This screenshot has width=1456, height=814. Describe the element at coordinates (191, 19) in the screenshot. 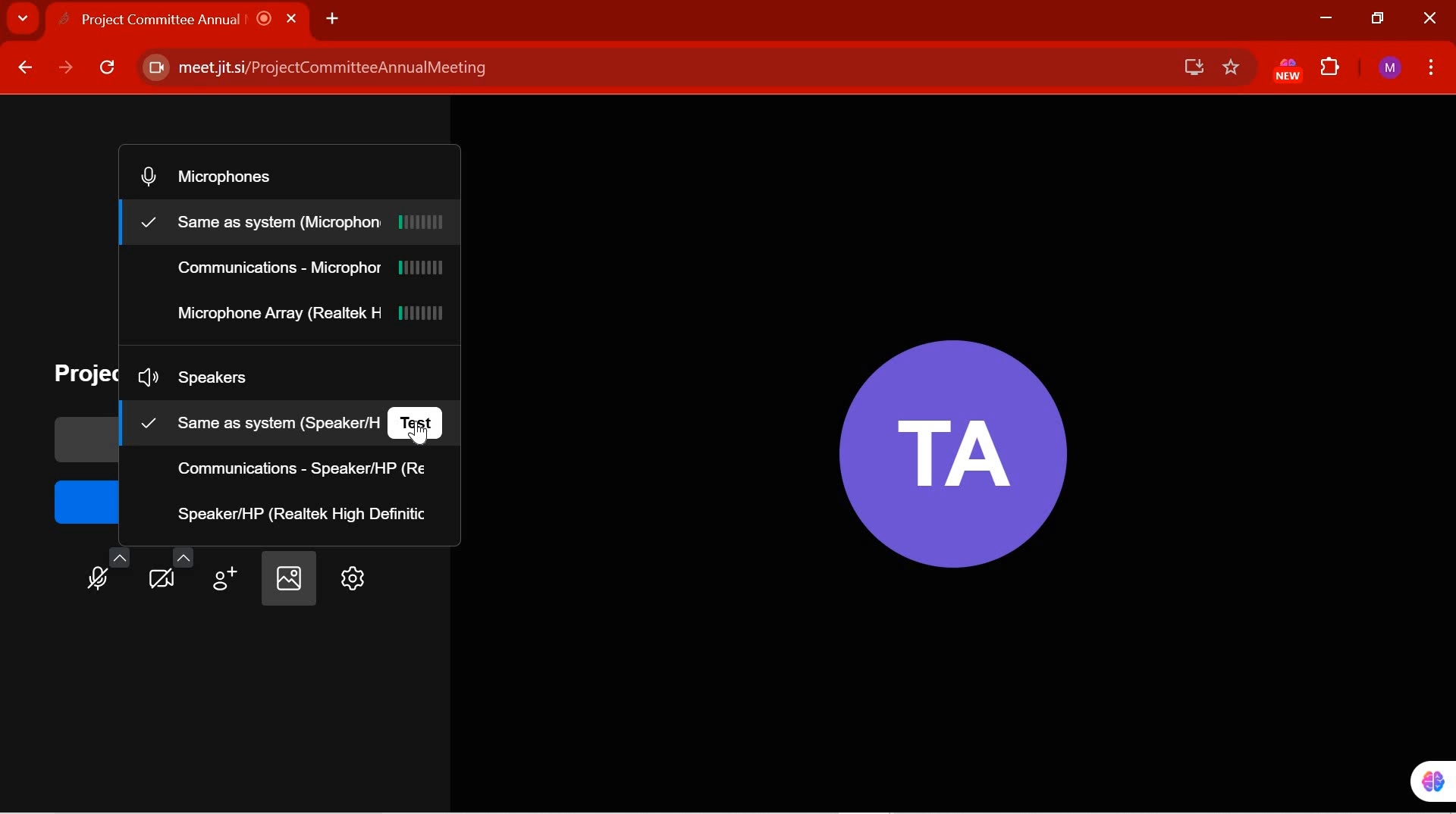

I see `Project Committee Annual |` at that location.